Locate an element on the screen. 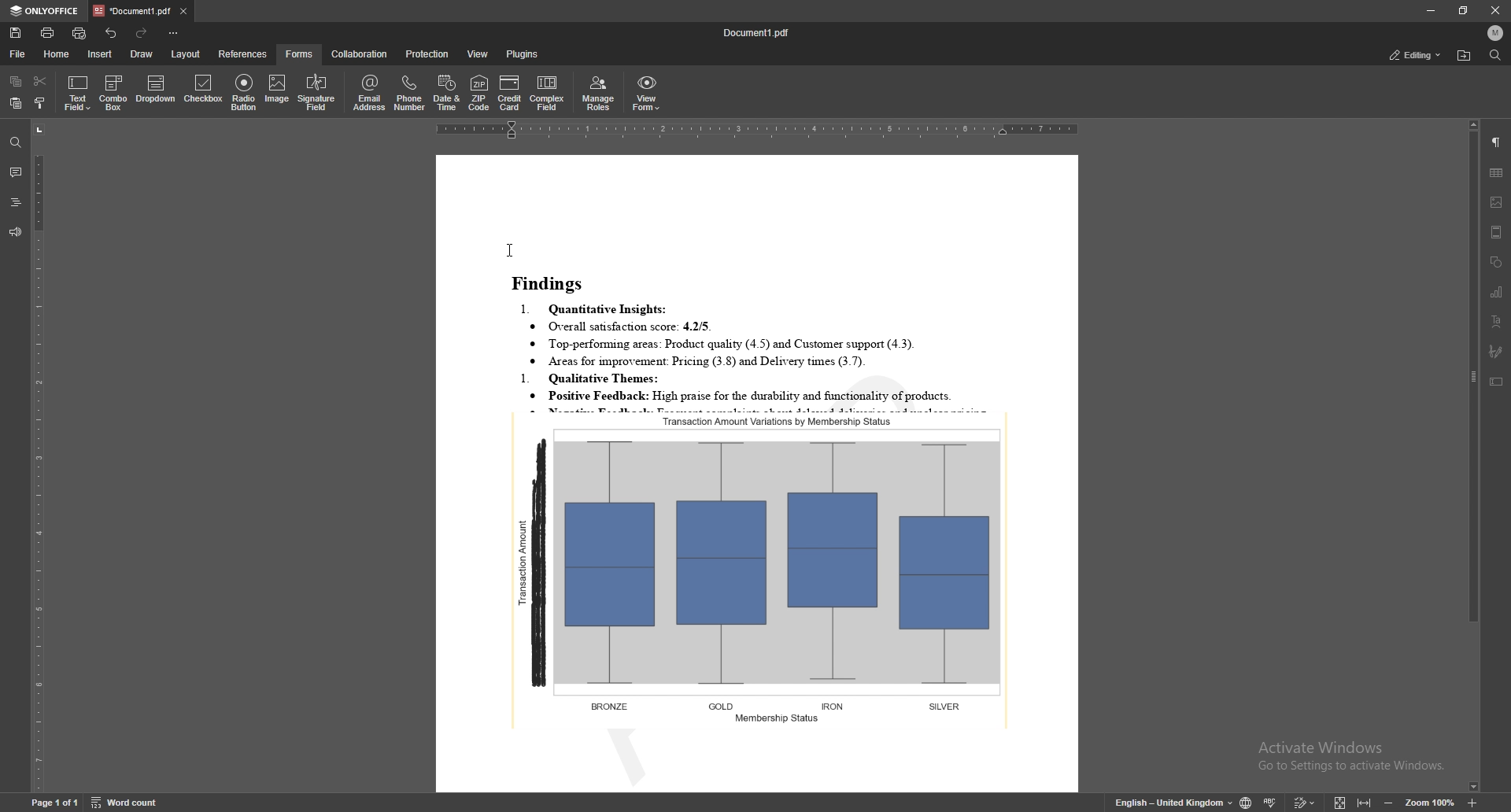 Image resolution: width=1511 pixels, height=812 pixels. zoom in is located at coordinates (1475, 803).